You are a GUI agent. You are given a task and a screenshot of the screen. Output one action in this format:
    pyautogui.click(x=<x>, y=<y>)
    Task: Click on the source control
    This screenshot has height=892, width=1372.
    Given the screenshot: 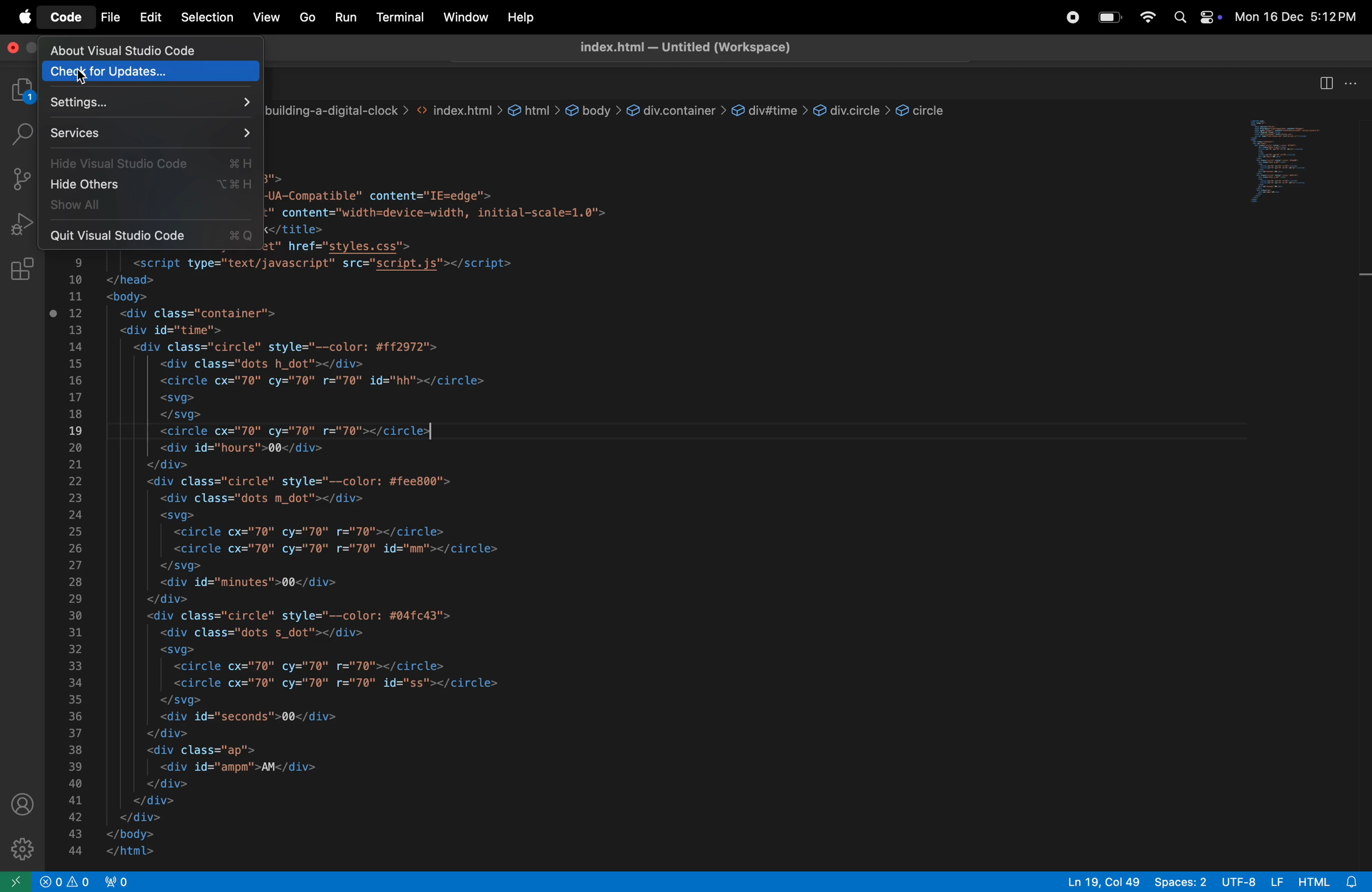 What is the action you would take?
    pyautogui.click(x=21, y=179)
    